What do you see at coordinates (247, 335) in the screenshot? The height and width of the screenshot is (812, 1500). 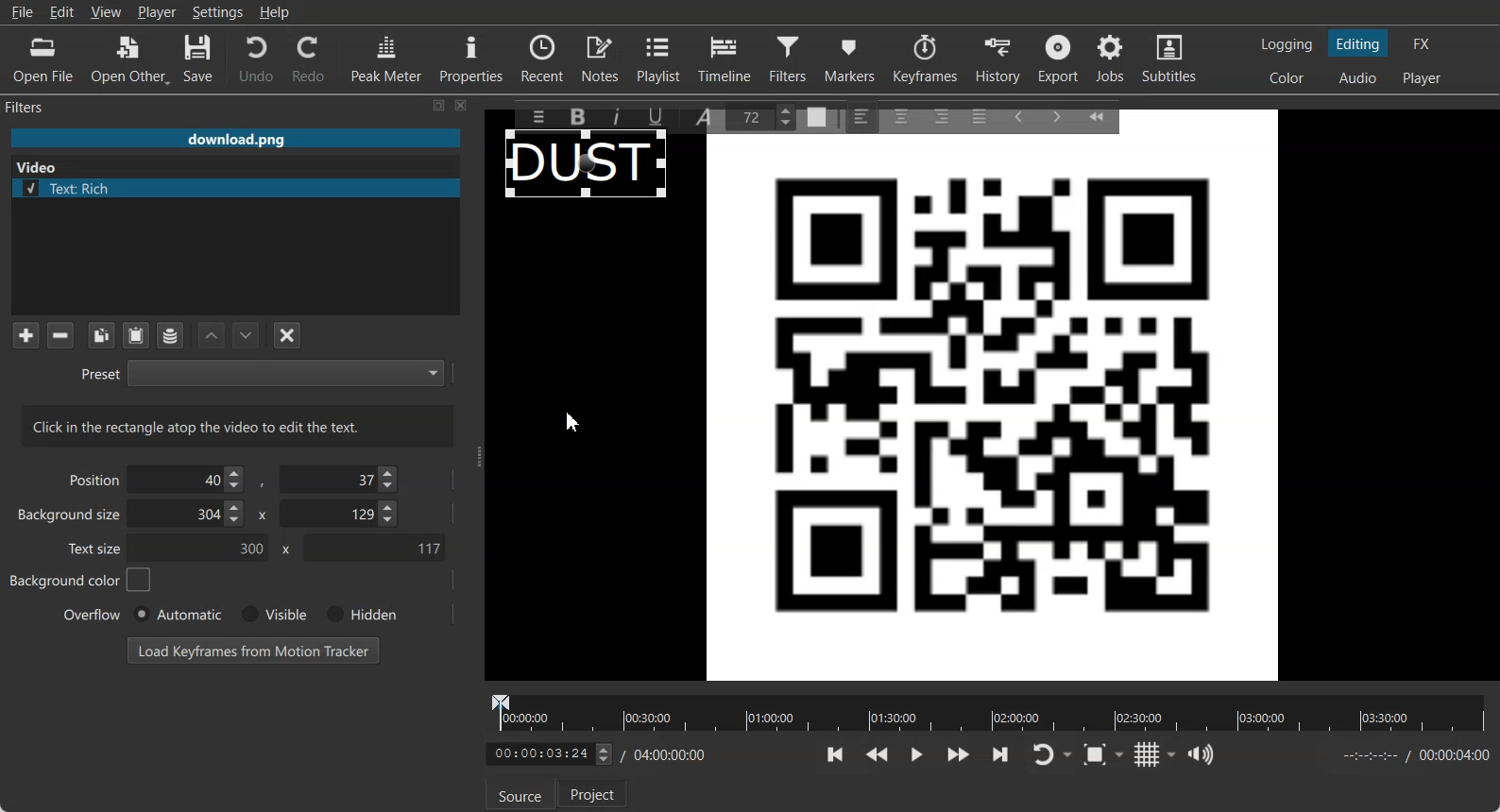 I see `Move Filter Down` at bounding box center [247, 335].